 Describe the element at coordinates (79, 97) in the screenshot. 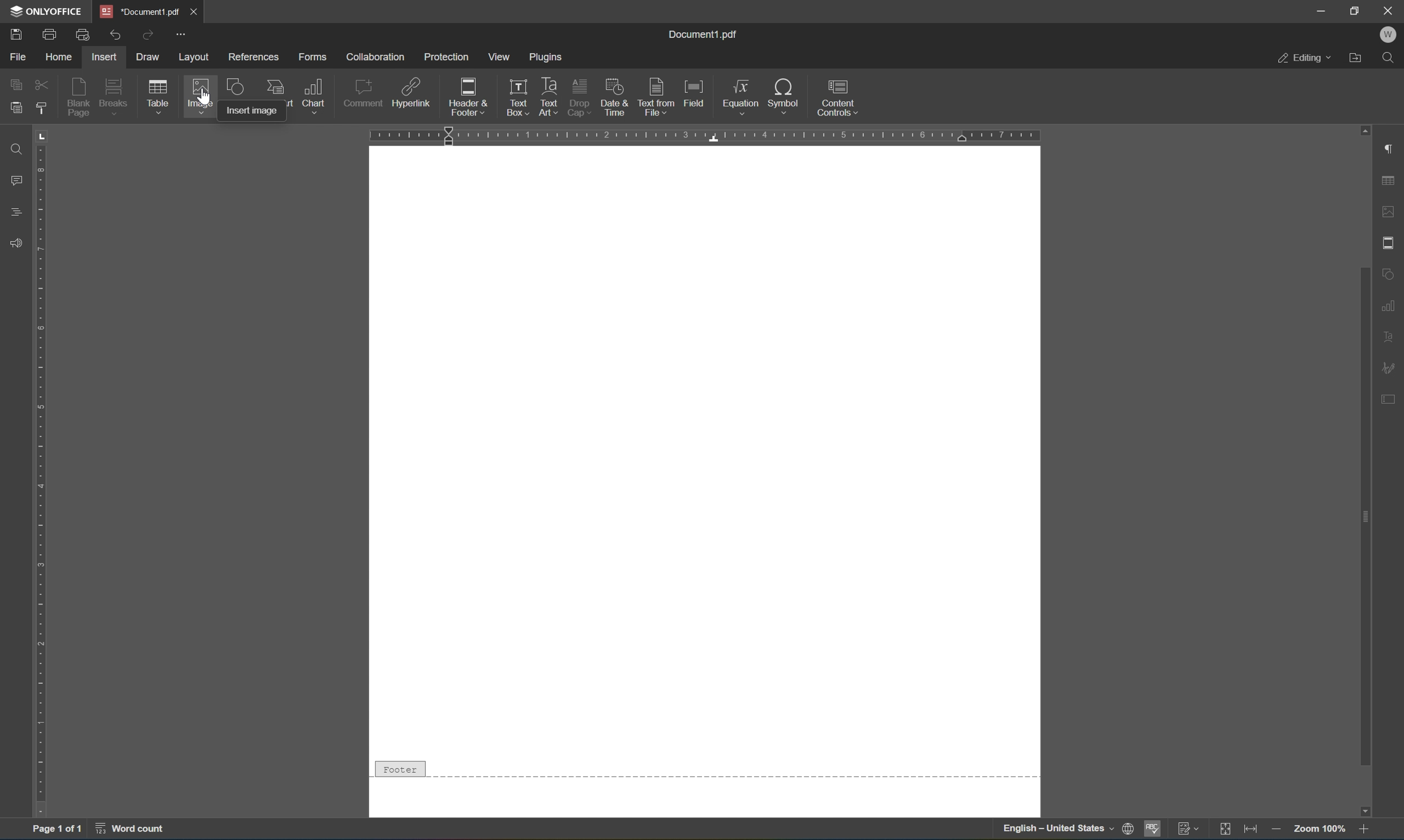

I see `blank page` at that location.